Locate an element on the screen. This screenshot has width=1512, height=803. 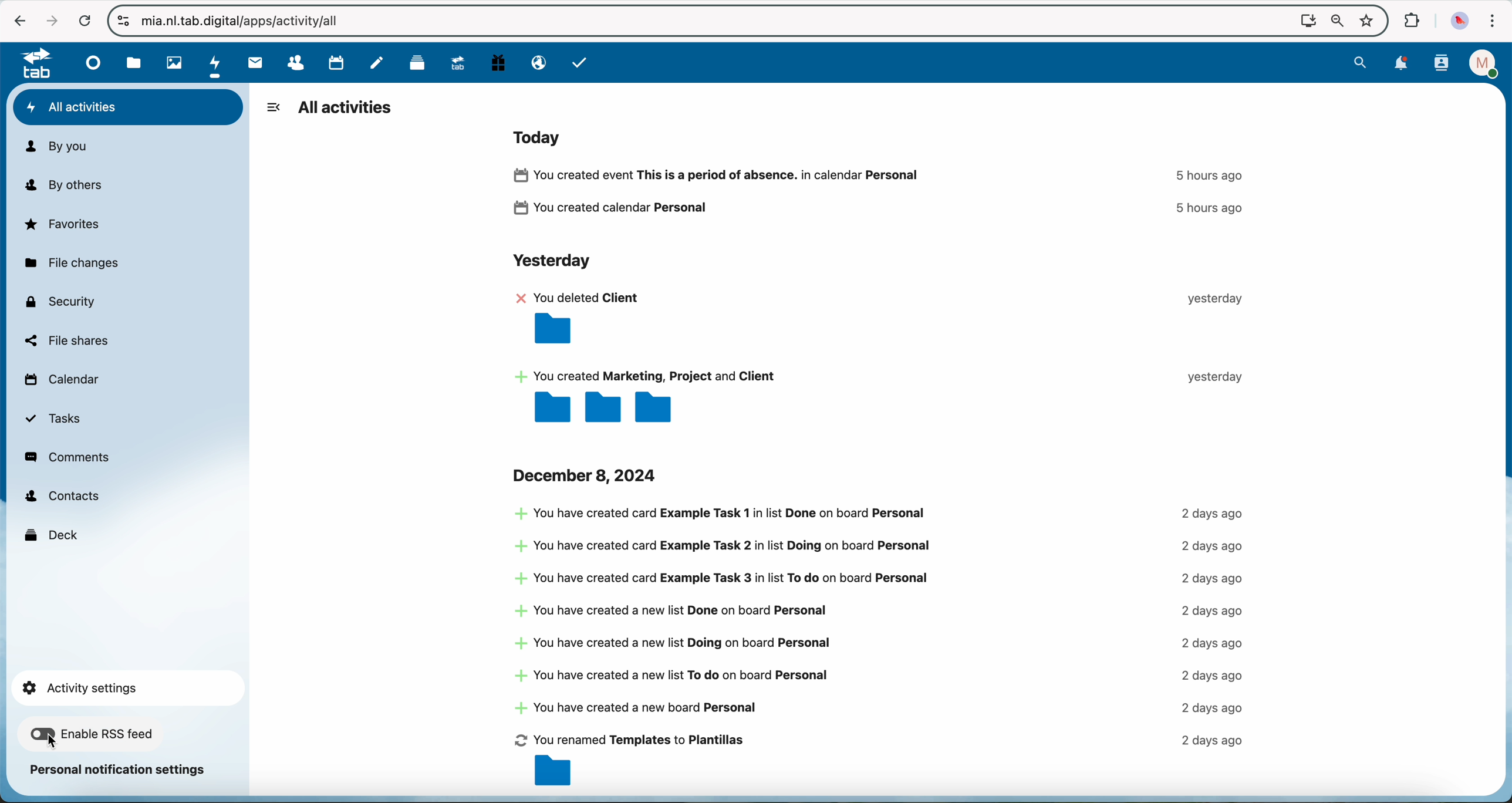
tasks is located at coordinates (580, 62).